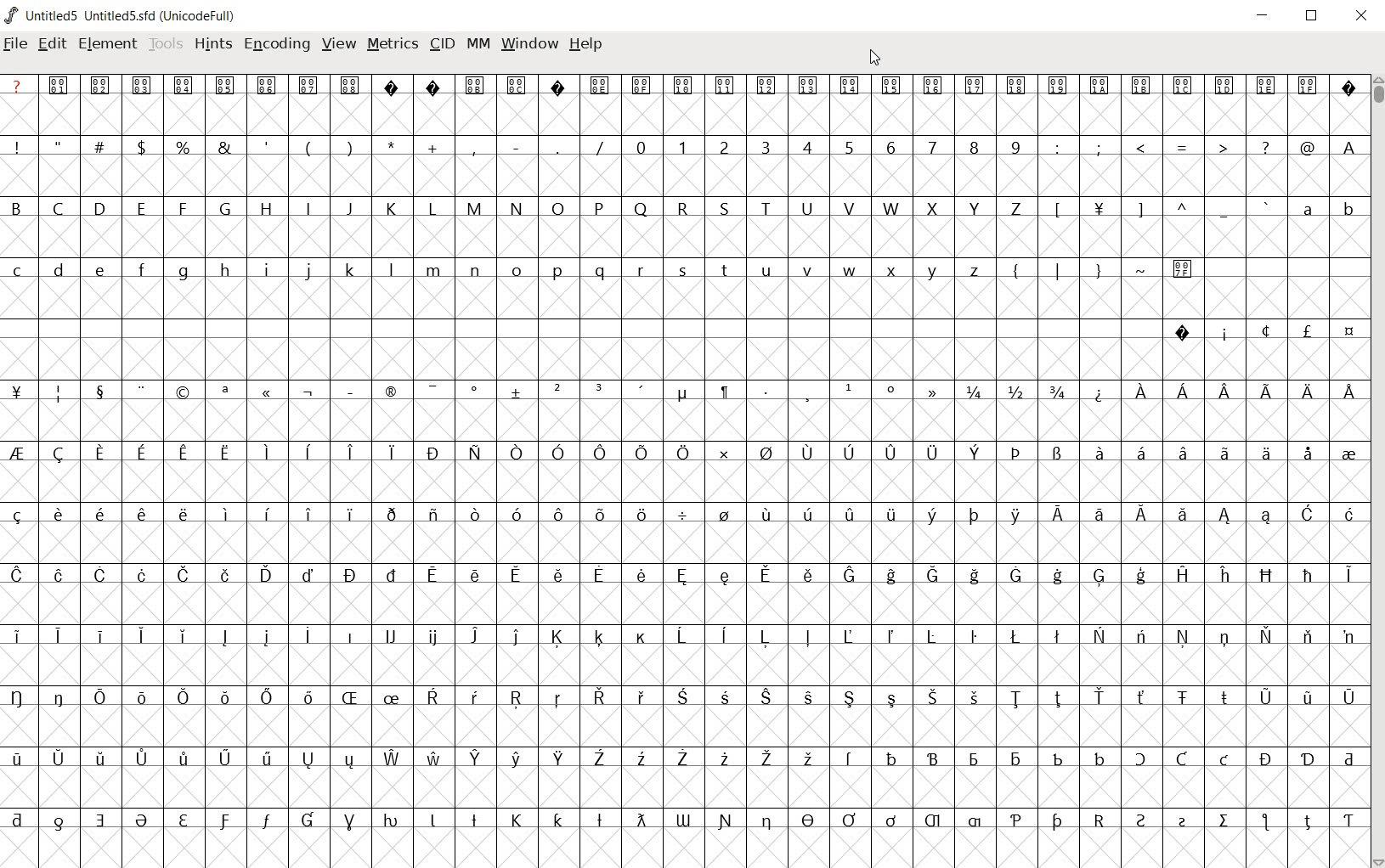  I want to click on /, so click(597, 148).